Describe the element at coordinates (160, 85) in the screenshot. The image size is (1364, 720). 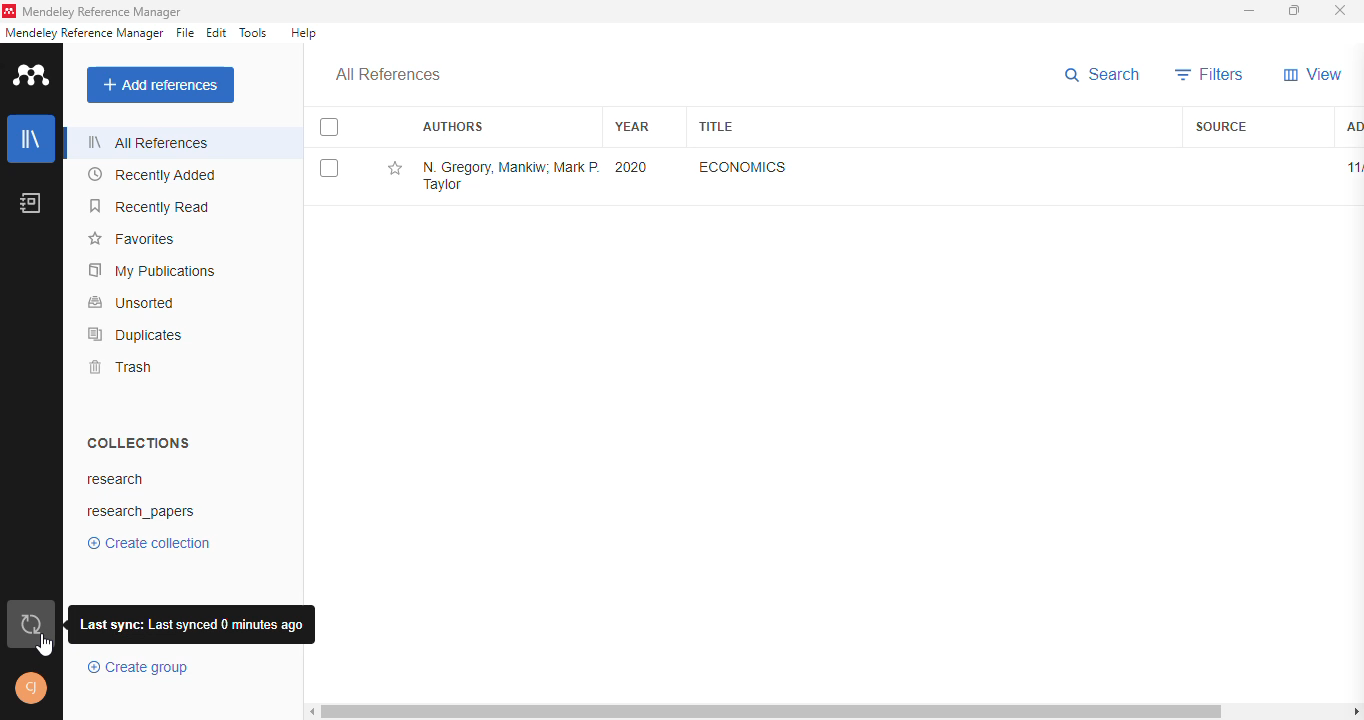
I see `add references` at that location.